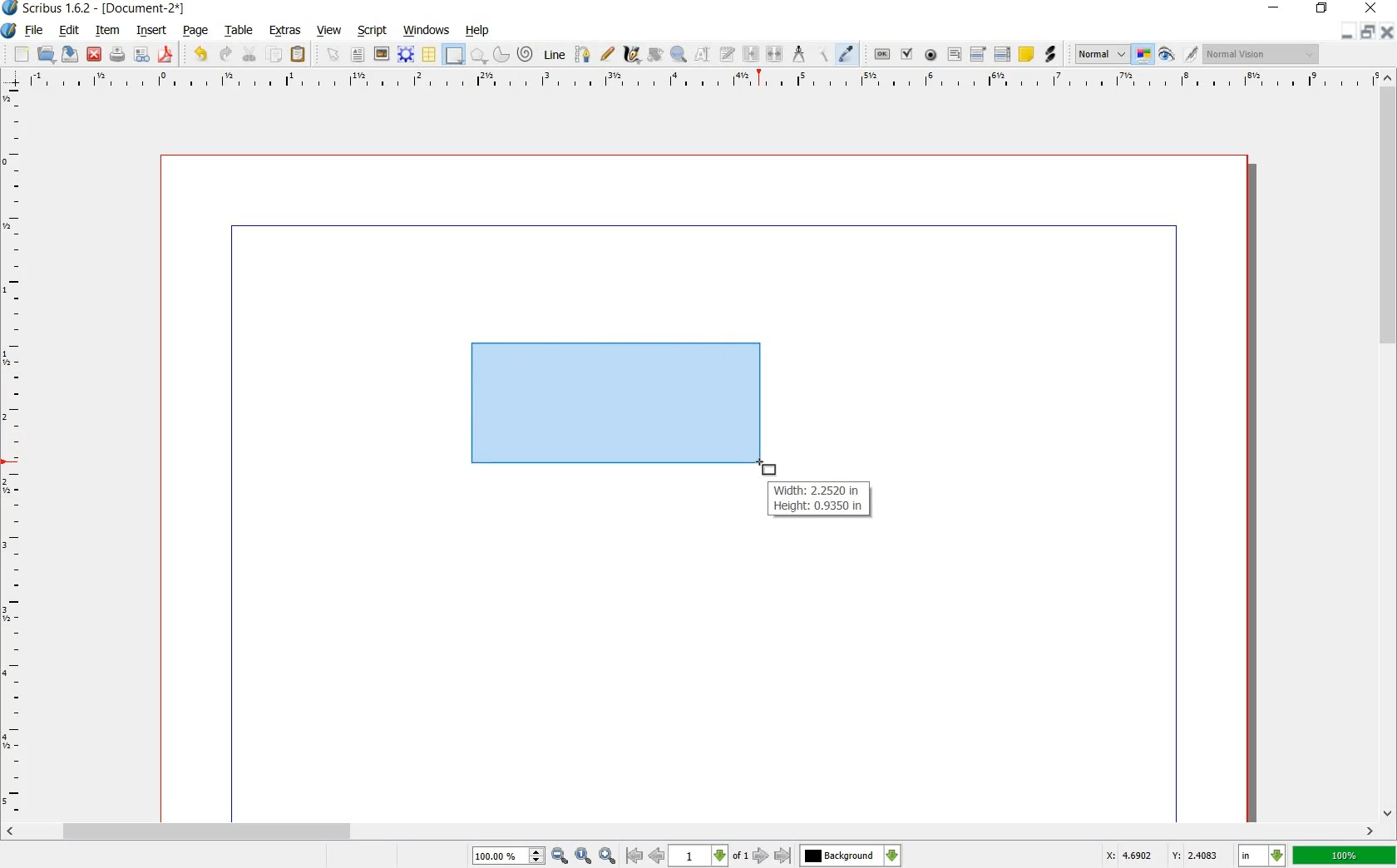 This screenshot has height=868, width=1397. What do you see at coordinates (34, 32) in the screenshot?
I see `FILE` at bounding box center [34, 32].